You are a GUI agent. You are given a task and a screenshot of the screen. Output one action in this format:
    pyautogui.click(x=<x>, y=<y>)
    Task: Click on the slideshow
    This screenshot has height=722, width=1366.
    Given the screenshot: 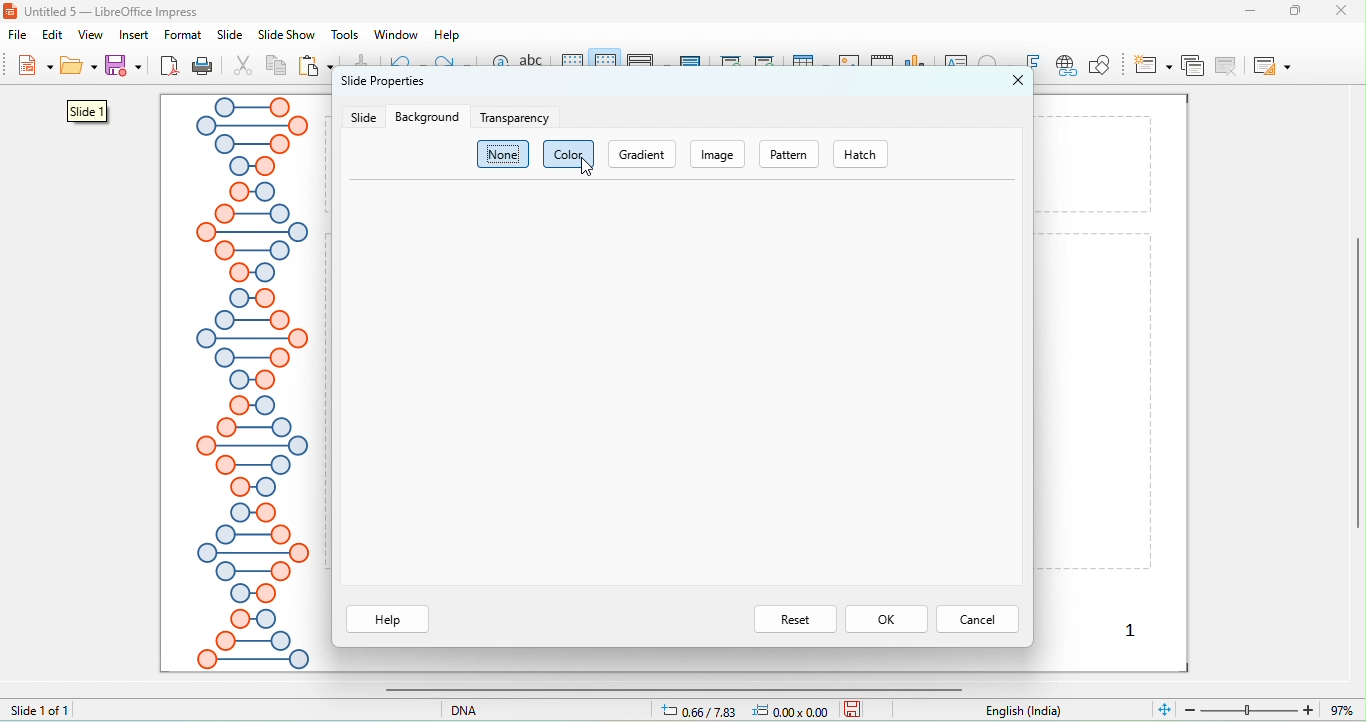 What is the action you would take?
    pyautogui.click(x=285, y=36)
    